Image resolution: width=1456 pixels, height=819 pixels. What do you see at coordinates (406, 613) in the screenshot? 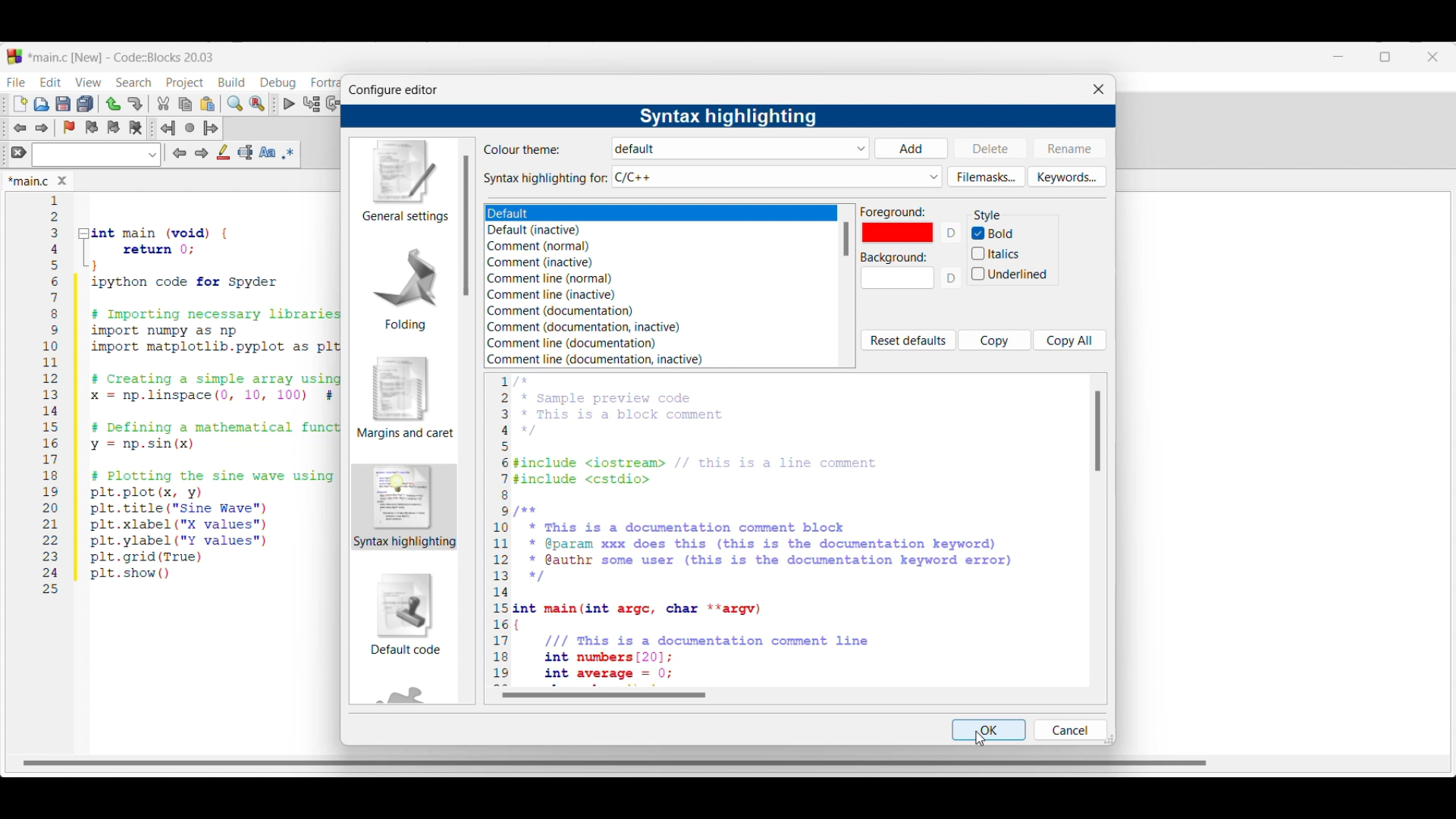
I see `Default code` at bounding box center [406, 613].